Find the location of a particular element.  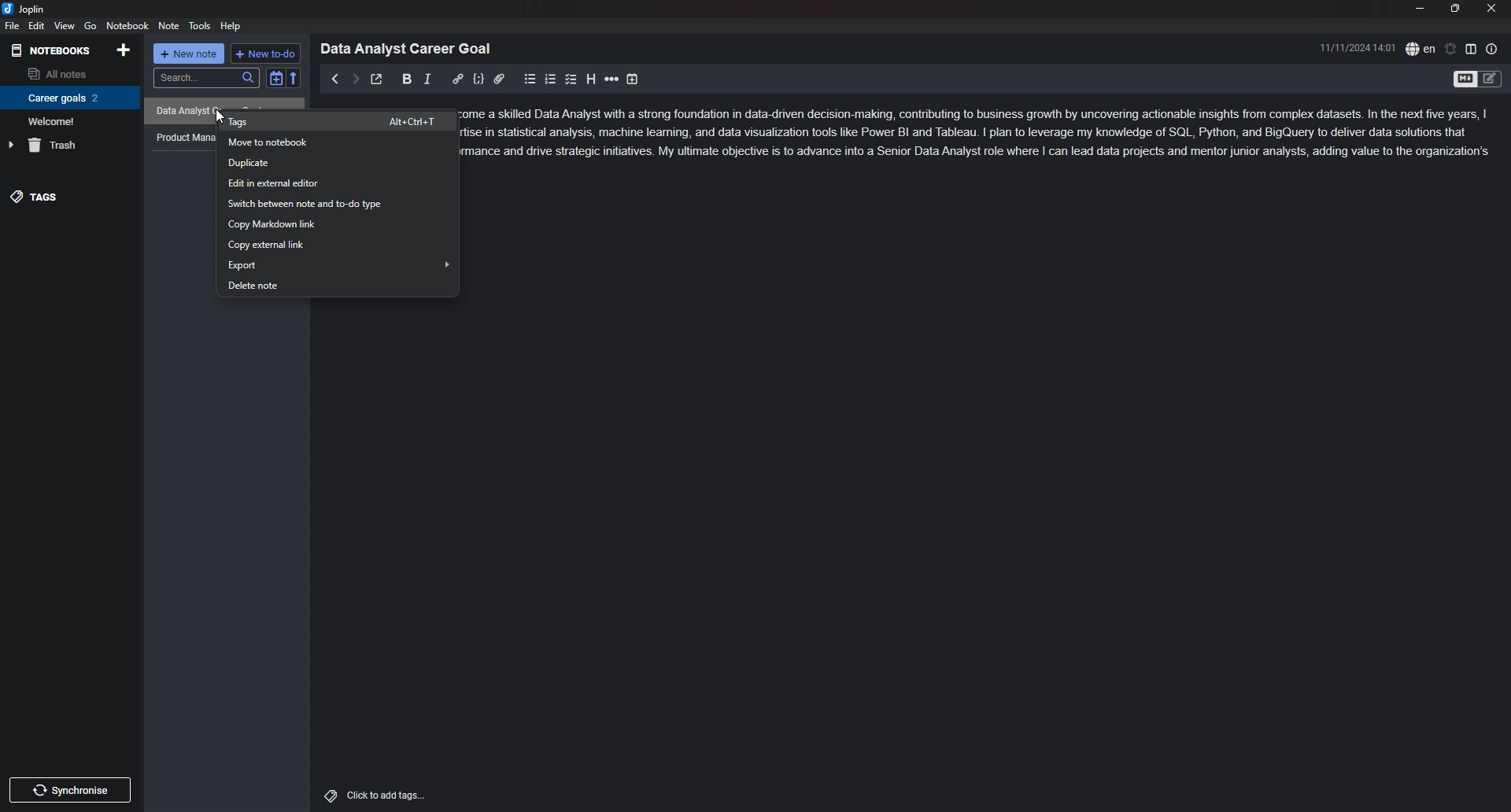

synchronise is located at coordinates (75, 791).